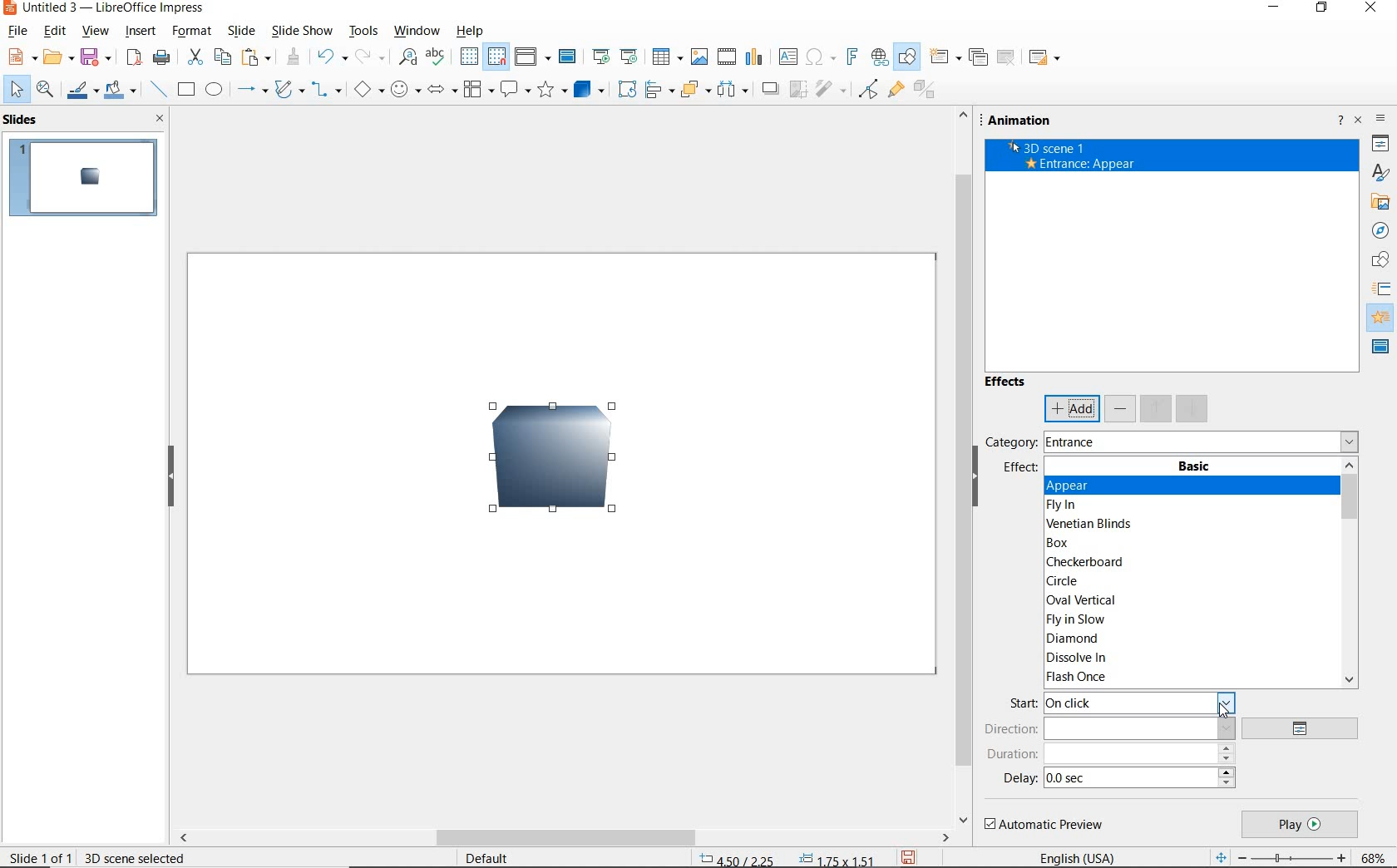  What do you see at coordinates (695, 89) in the screenshot?
I see `arrange` at bounding box center [695, 89].